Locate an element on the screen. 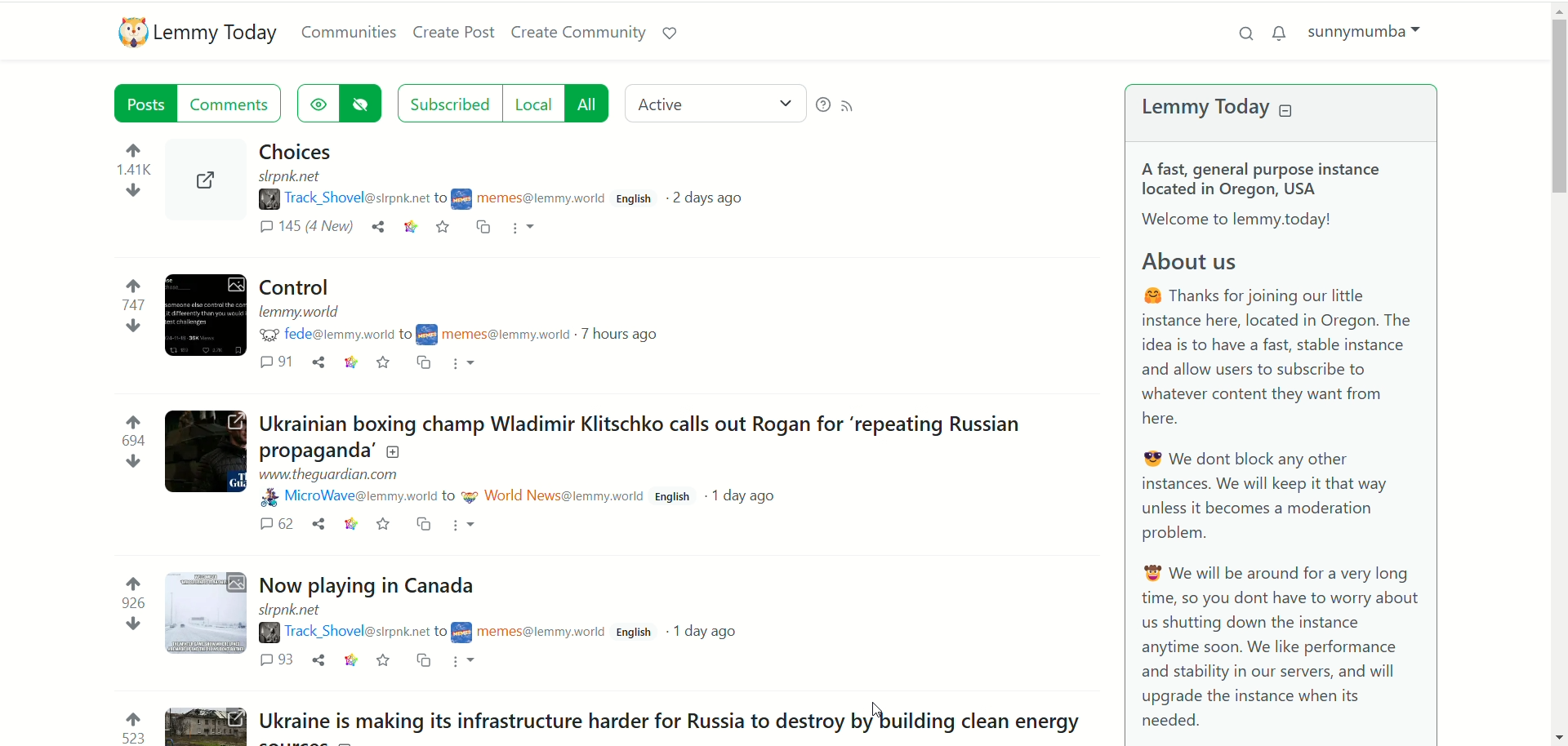  posts is located at coordinates (146, 102).